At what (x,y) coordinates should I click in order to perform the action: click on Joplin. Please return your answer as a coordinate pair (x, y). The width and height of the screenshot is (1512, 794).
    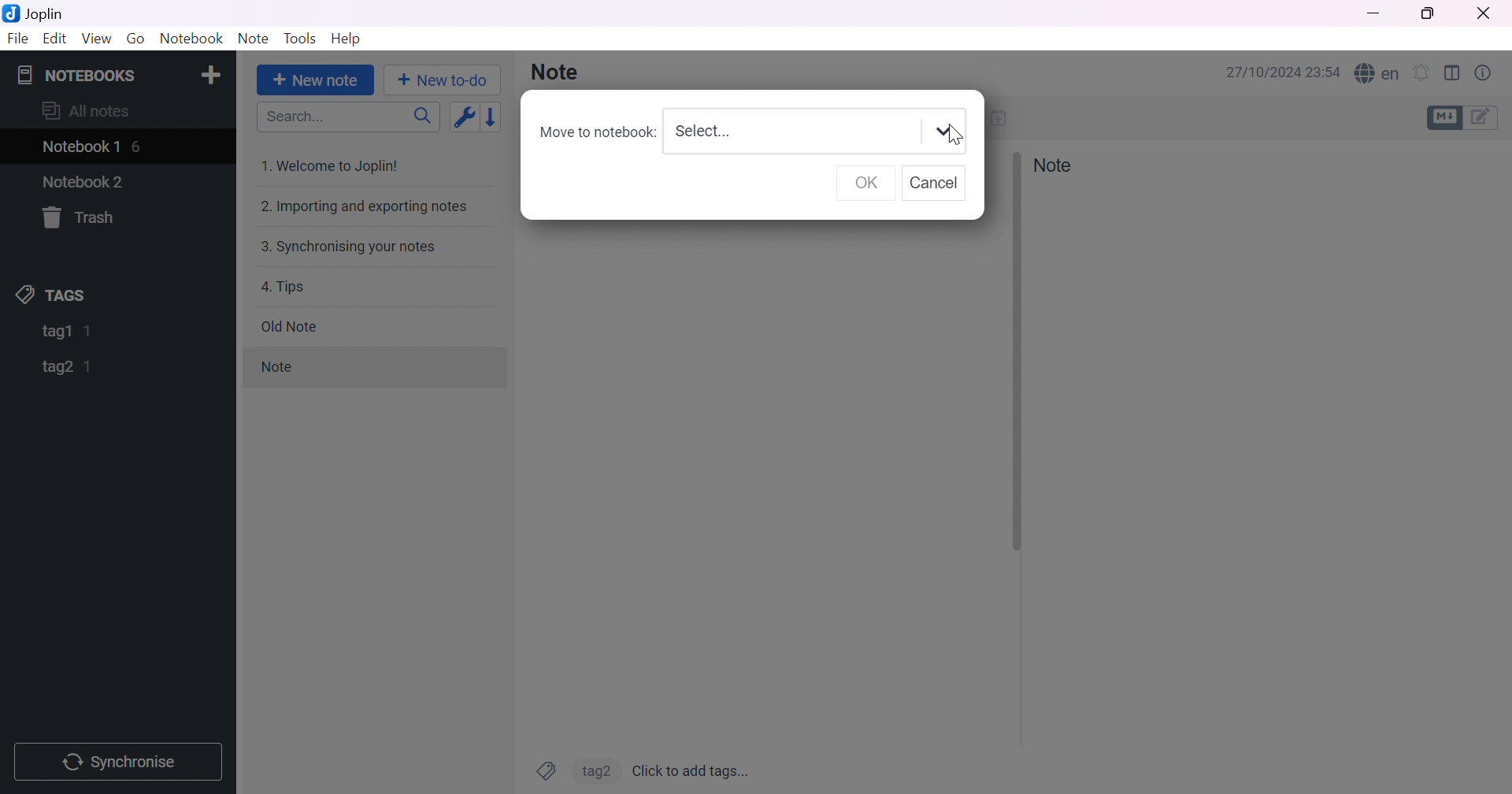
    Looking at the image, I should click on (36, 13).